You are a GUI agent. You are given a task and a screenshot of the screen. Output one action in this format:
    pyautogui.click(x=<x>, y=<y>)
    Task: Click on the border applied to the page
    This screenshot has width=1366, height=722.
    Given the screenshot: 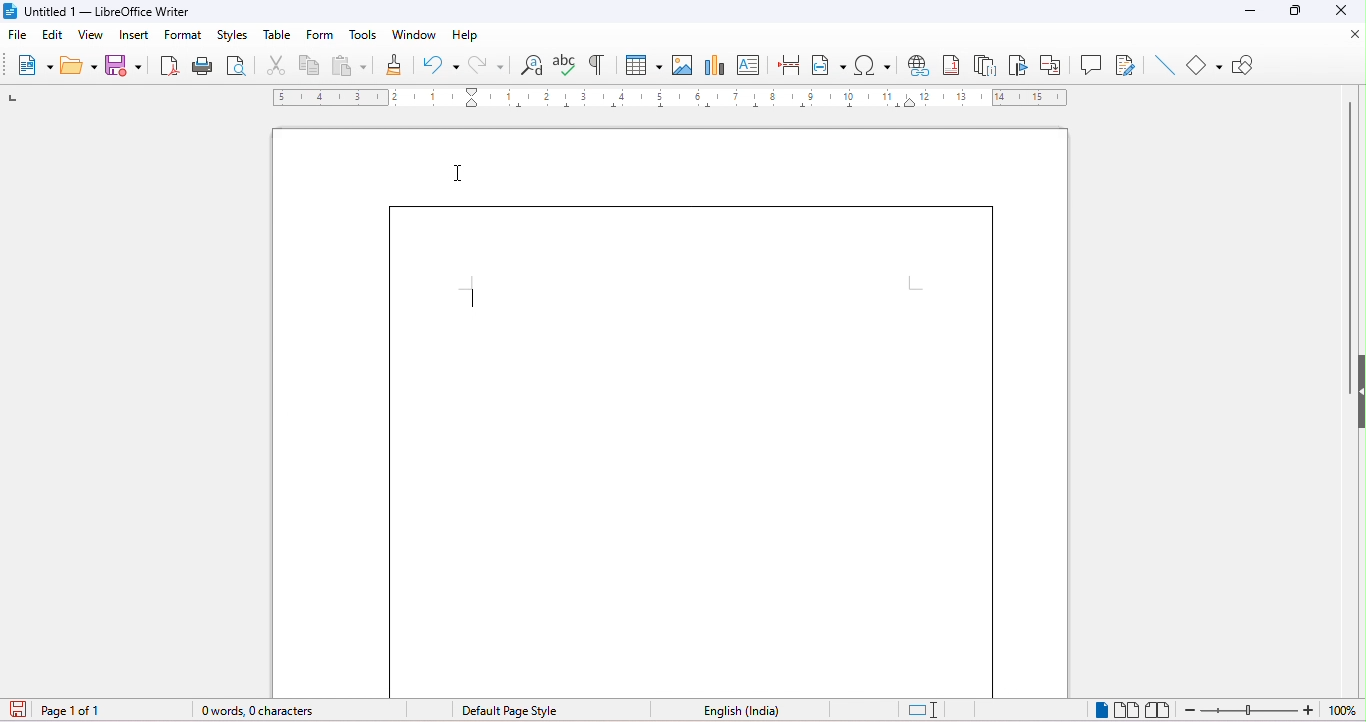 What is the action you would take?
    pyautogui.click(x=672, y=448)
    